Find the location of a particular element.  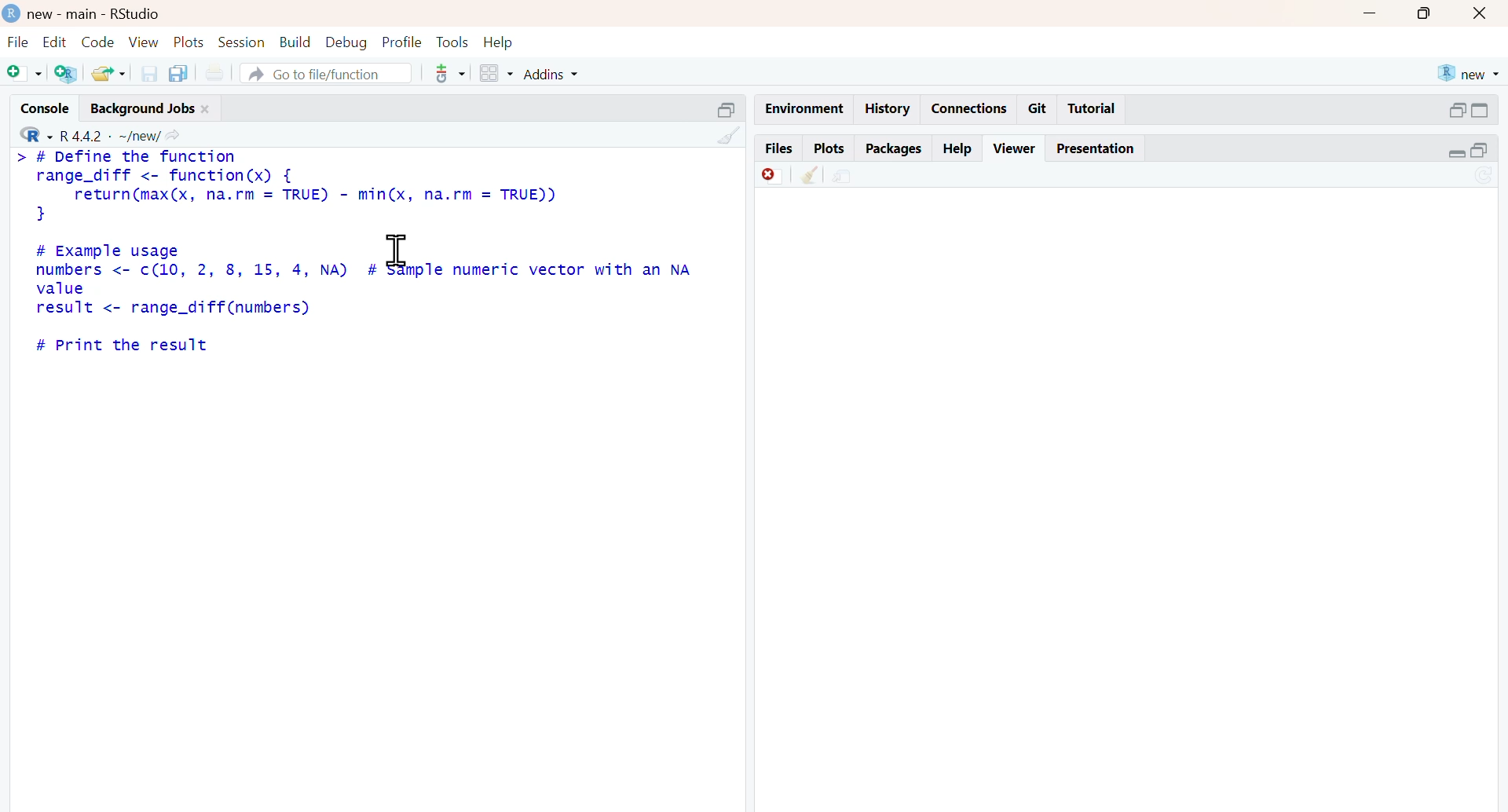

cursor is located at coordinates (397, 251).